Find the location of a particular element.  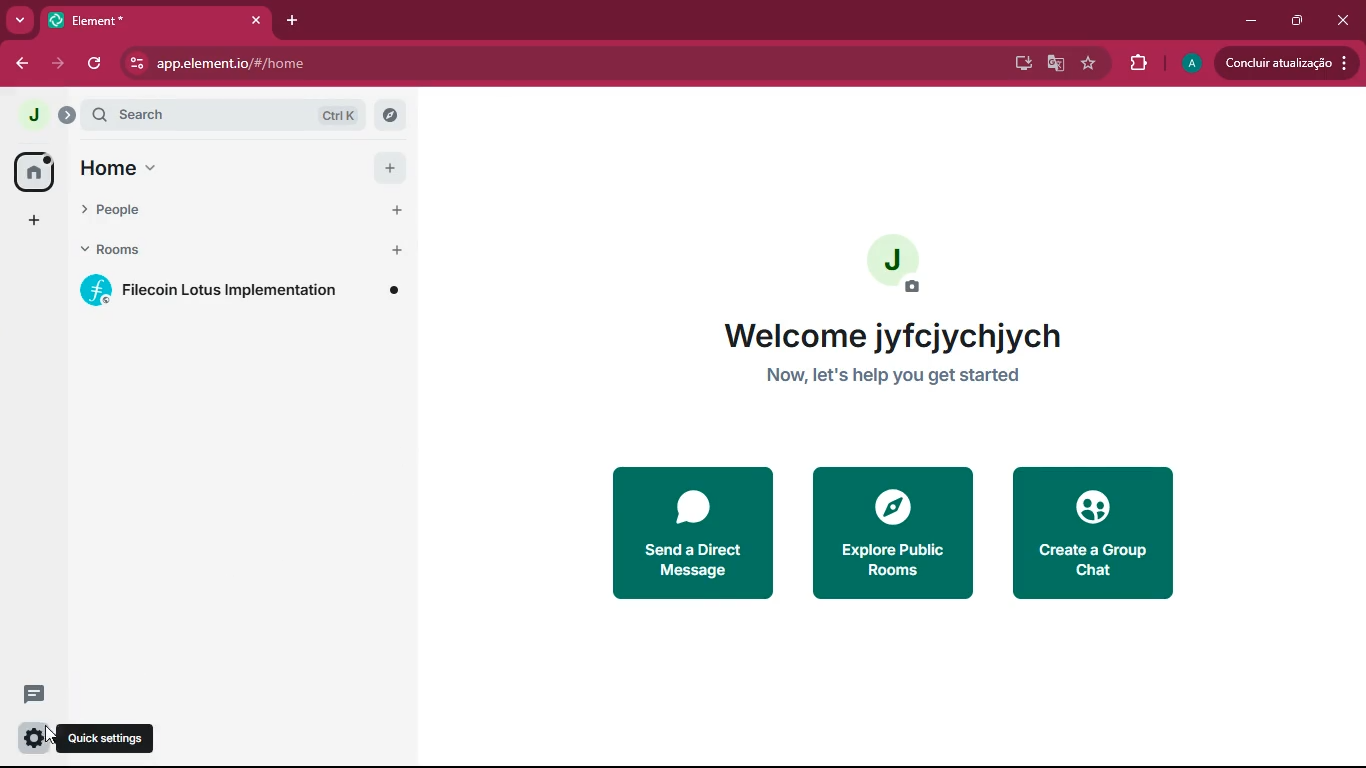

tab is located at coordinates (131, 20).